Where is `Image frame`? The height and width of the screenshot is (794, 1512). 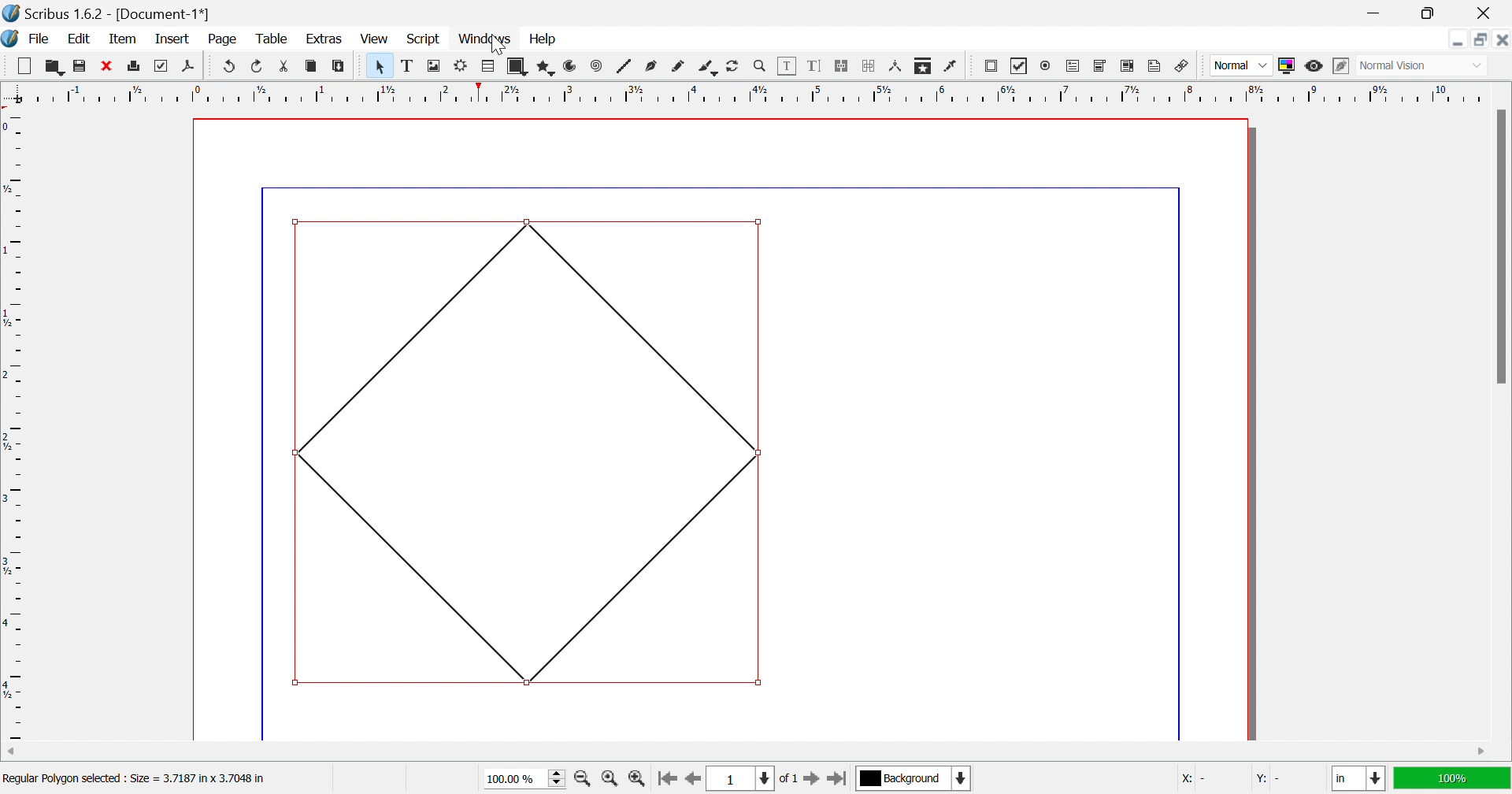
Image frame is located at coordinates (435, 65).